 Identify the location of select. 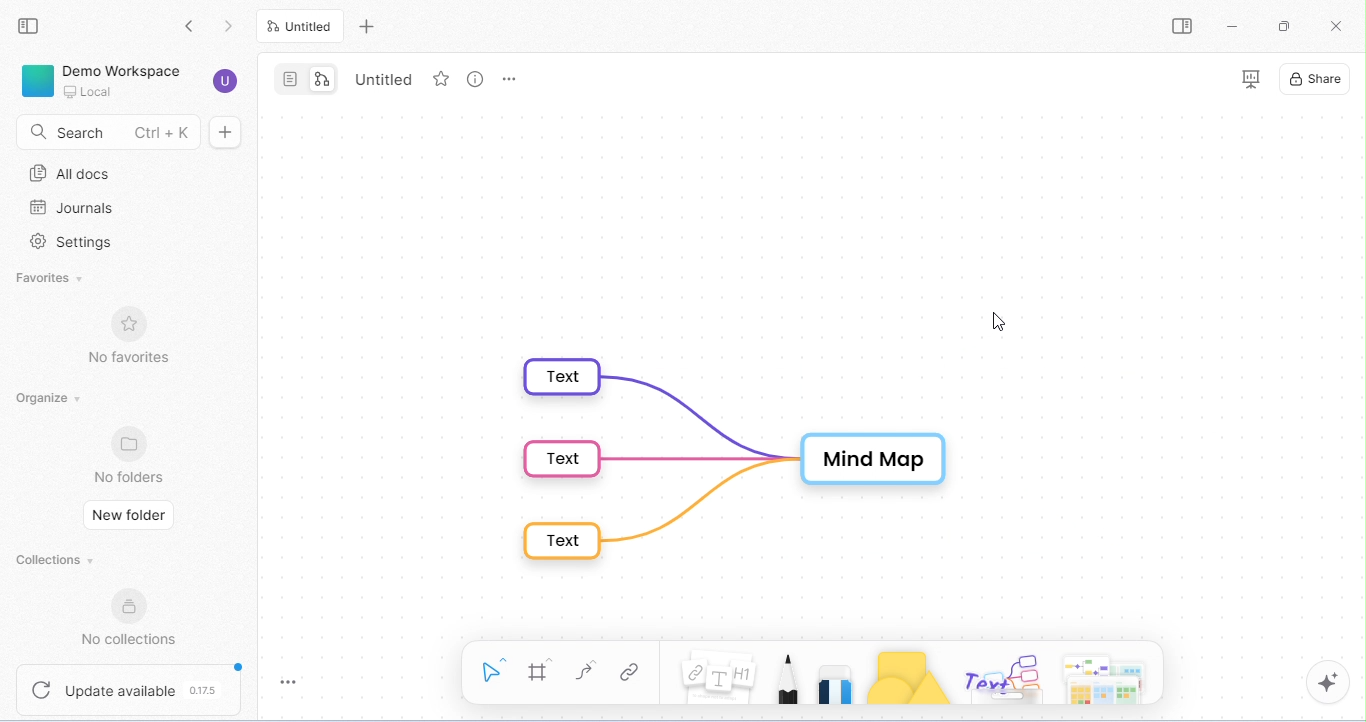
(492, 669).